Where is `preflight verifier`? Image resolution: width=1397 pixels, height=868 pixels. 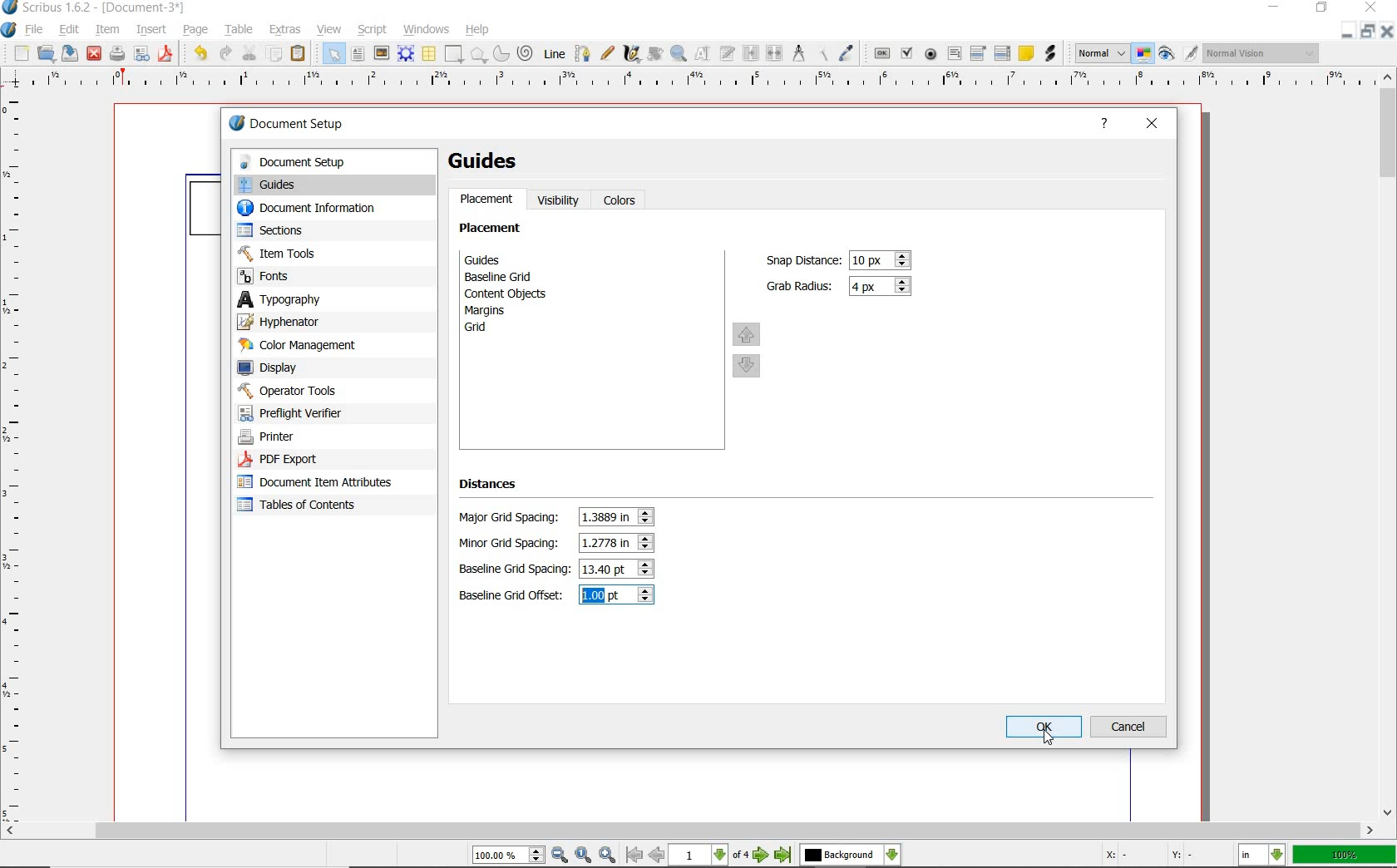
preflight verifier is located at coordinates (142, 55).